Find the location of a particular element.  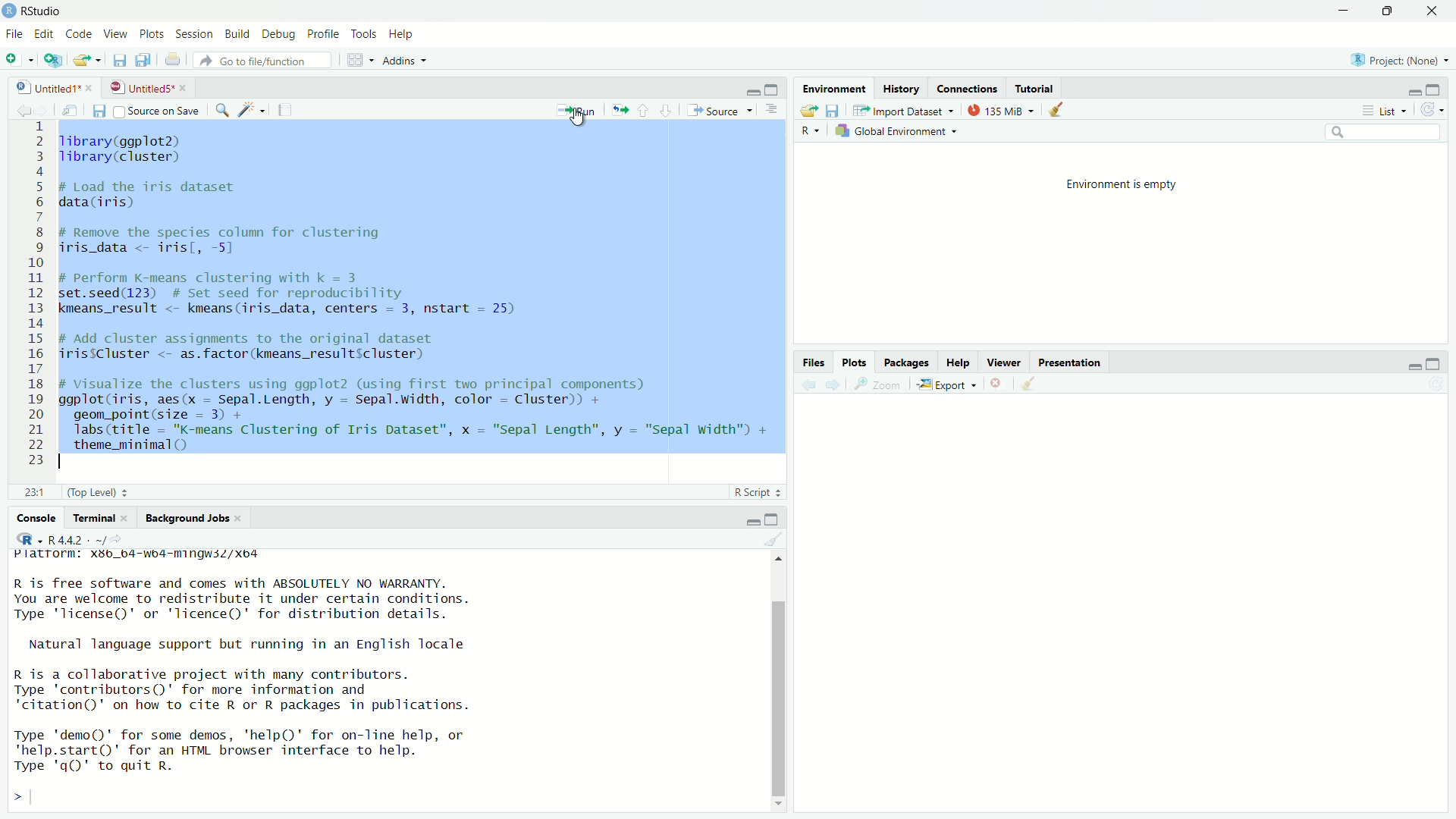

view a larger version of the plot in new window is located at coordinates (880, 384).